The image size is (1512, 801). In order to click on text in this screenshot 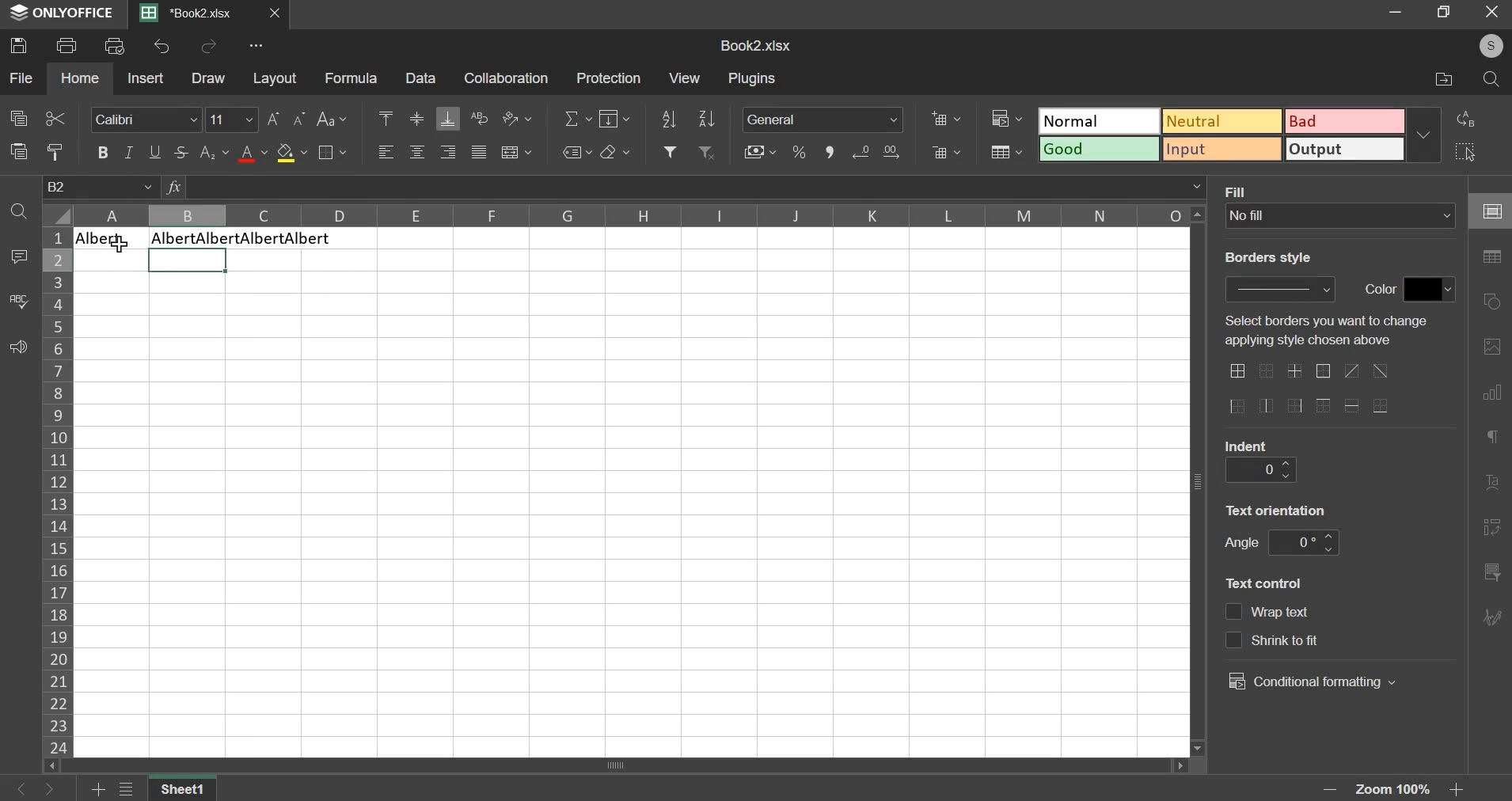, I will do `click(1285, 613)`.